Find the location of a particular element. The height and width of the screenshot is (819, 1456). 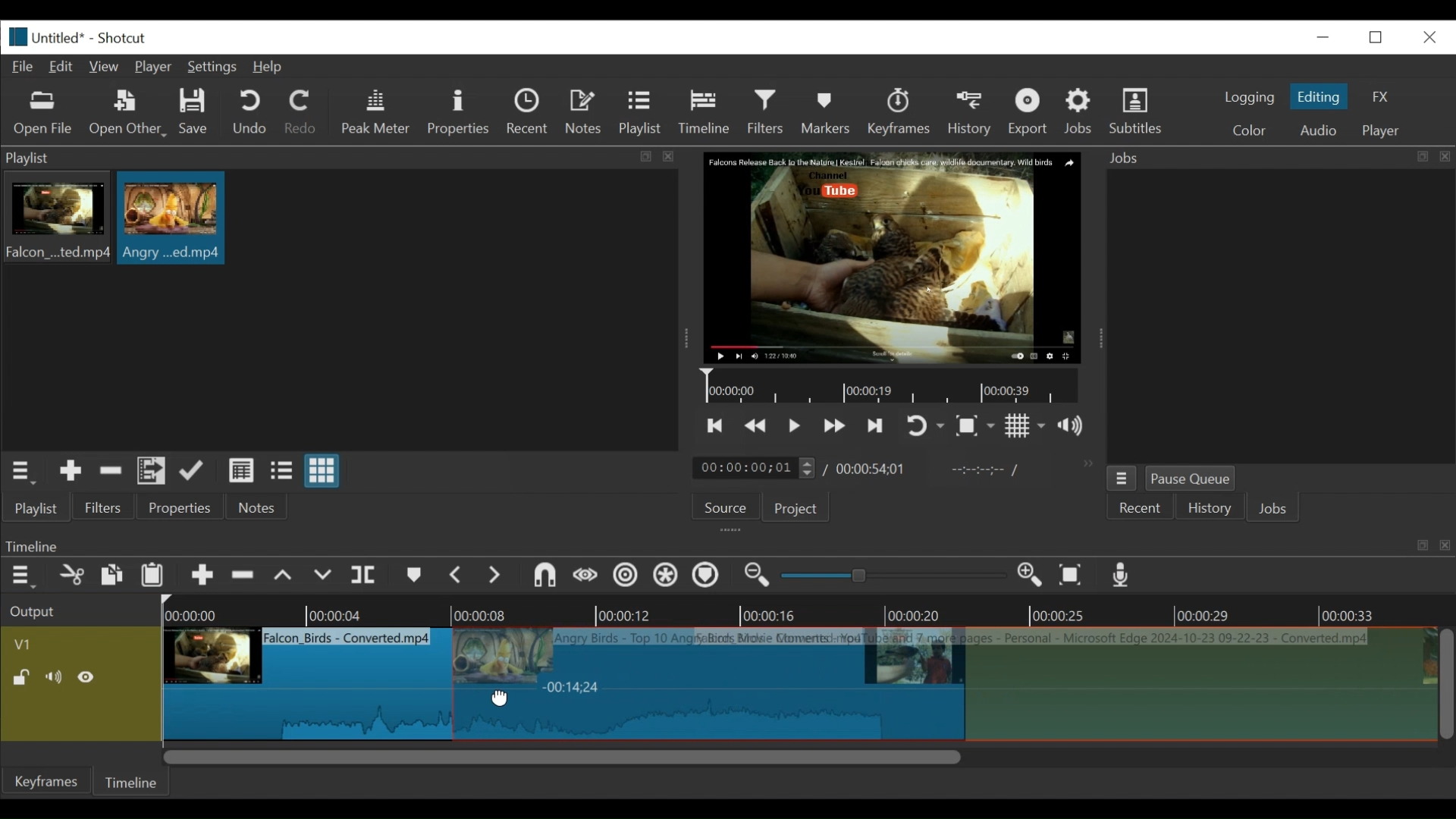

properties is located at coordinates (181, 508).